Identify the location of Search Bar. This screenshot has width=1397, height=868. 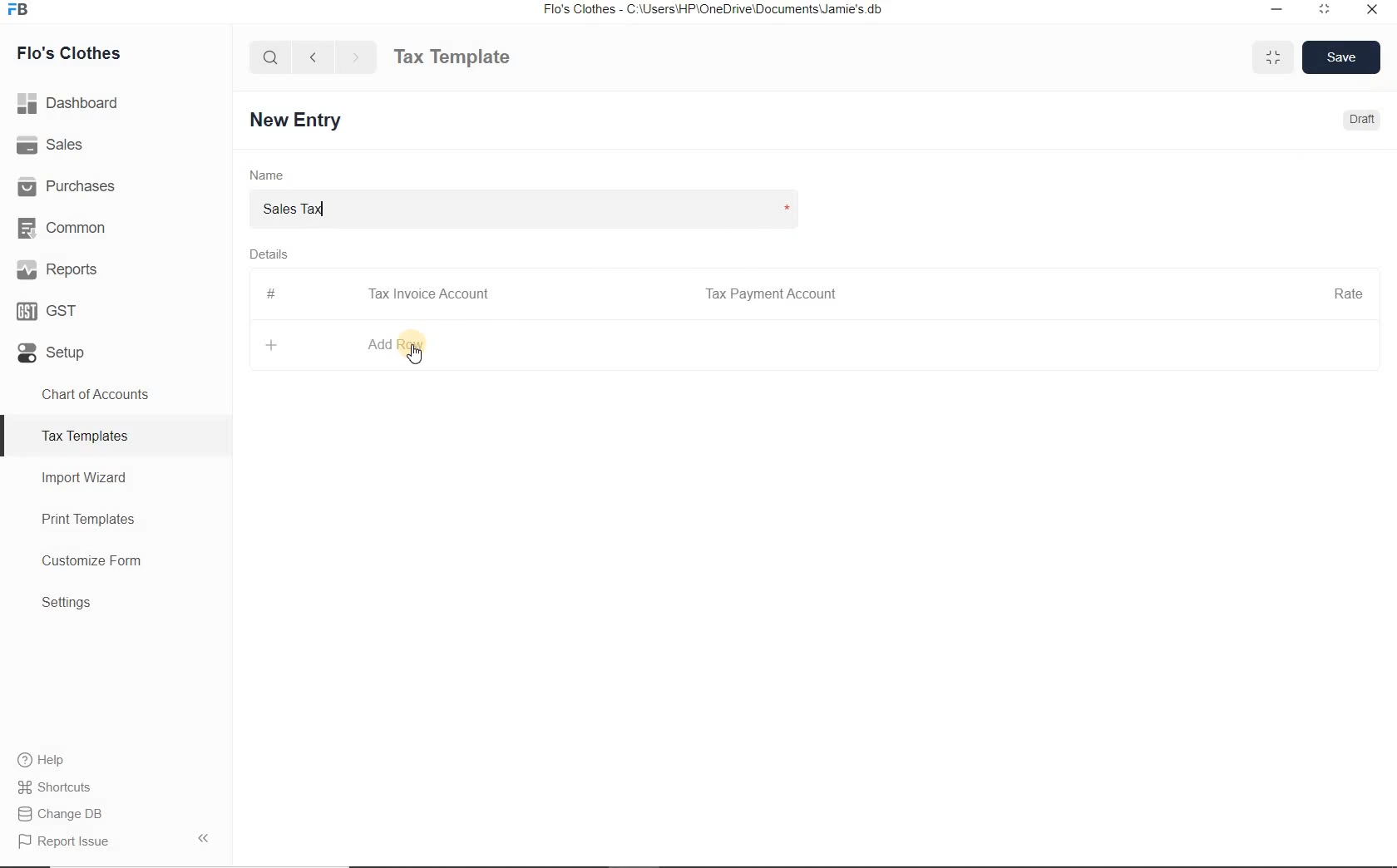
(271, 56).